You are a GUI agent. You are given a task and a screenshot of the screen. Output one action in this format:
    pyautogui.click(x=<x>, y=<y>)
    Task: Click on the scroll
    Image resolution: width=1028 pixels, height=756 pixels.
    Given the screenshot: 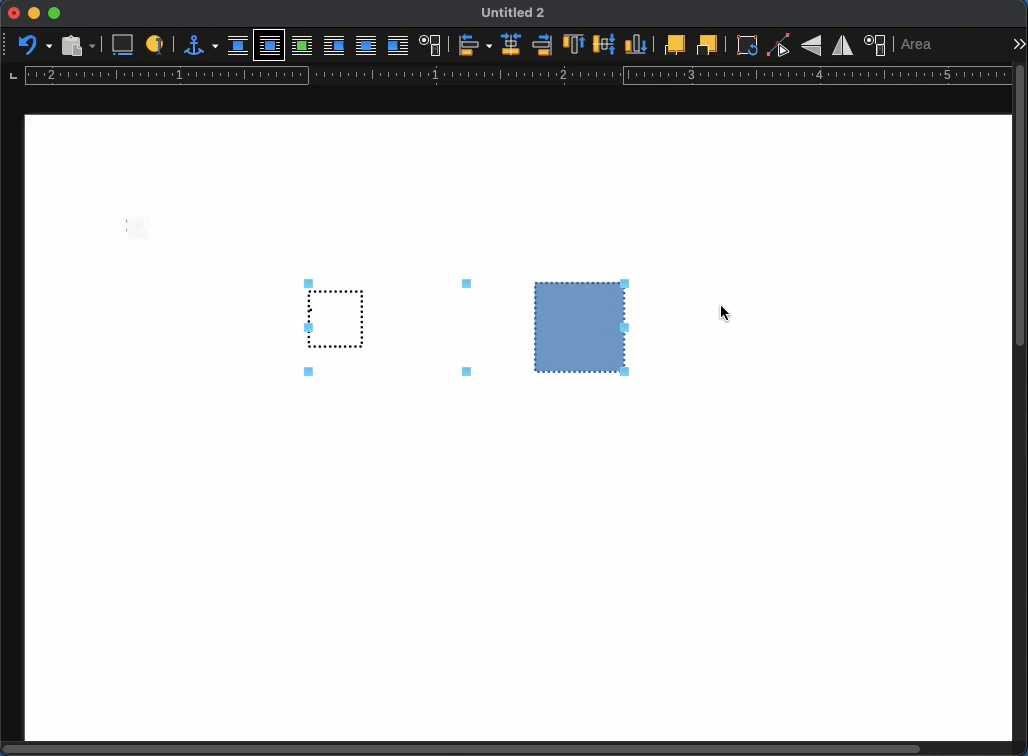 What is the action you would take?
    pyautogui.click(x=1023, y=404)
    